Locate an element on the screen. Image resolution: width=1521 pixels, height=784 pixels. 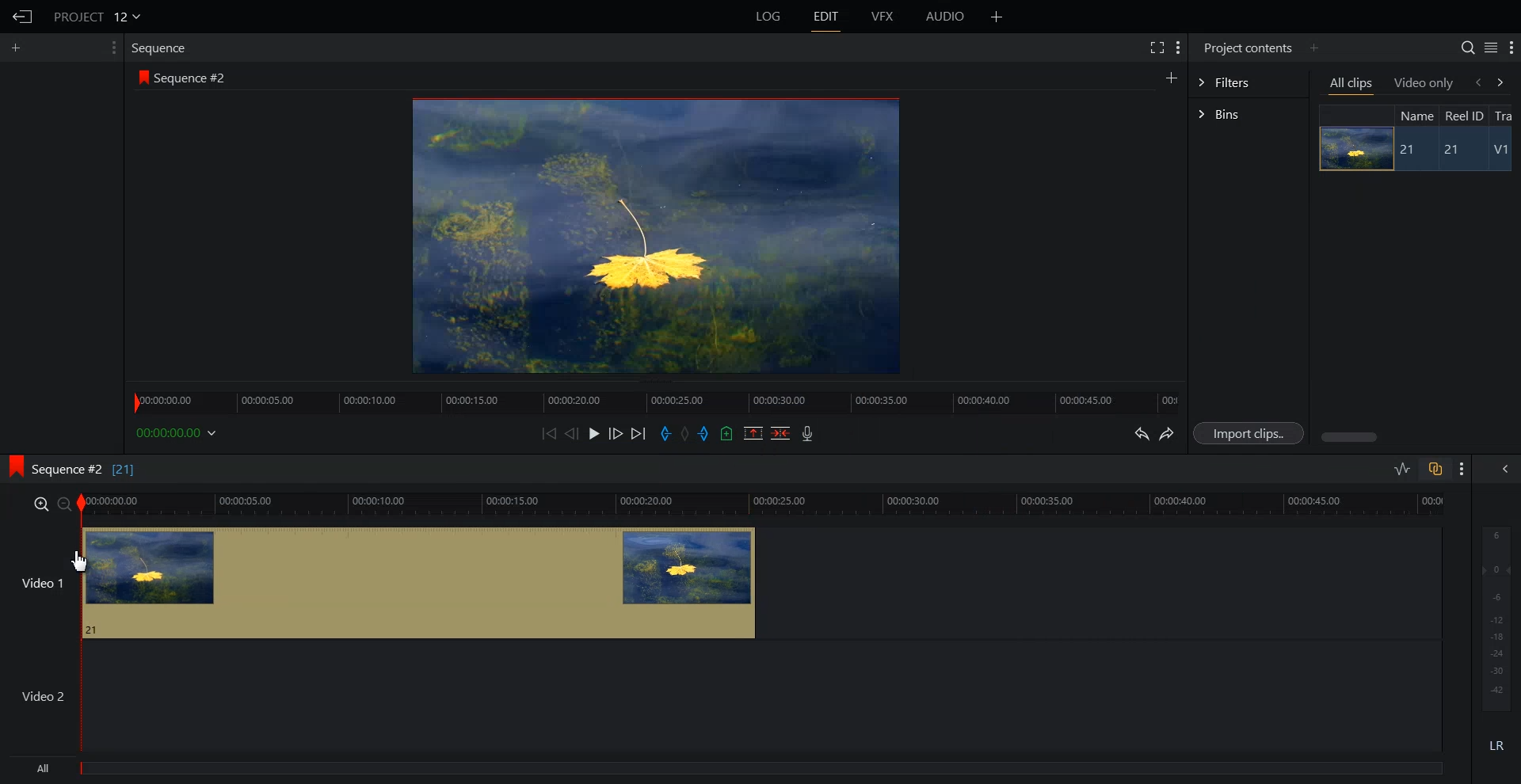
Search is located at coordinates (1467, 48).